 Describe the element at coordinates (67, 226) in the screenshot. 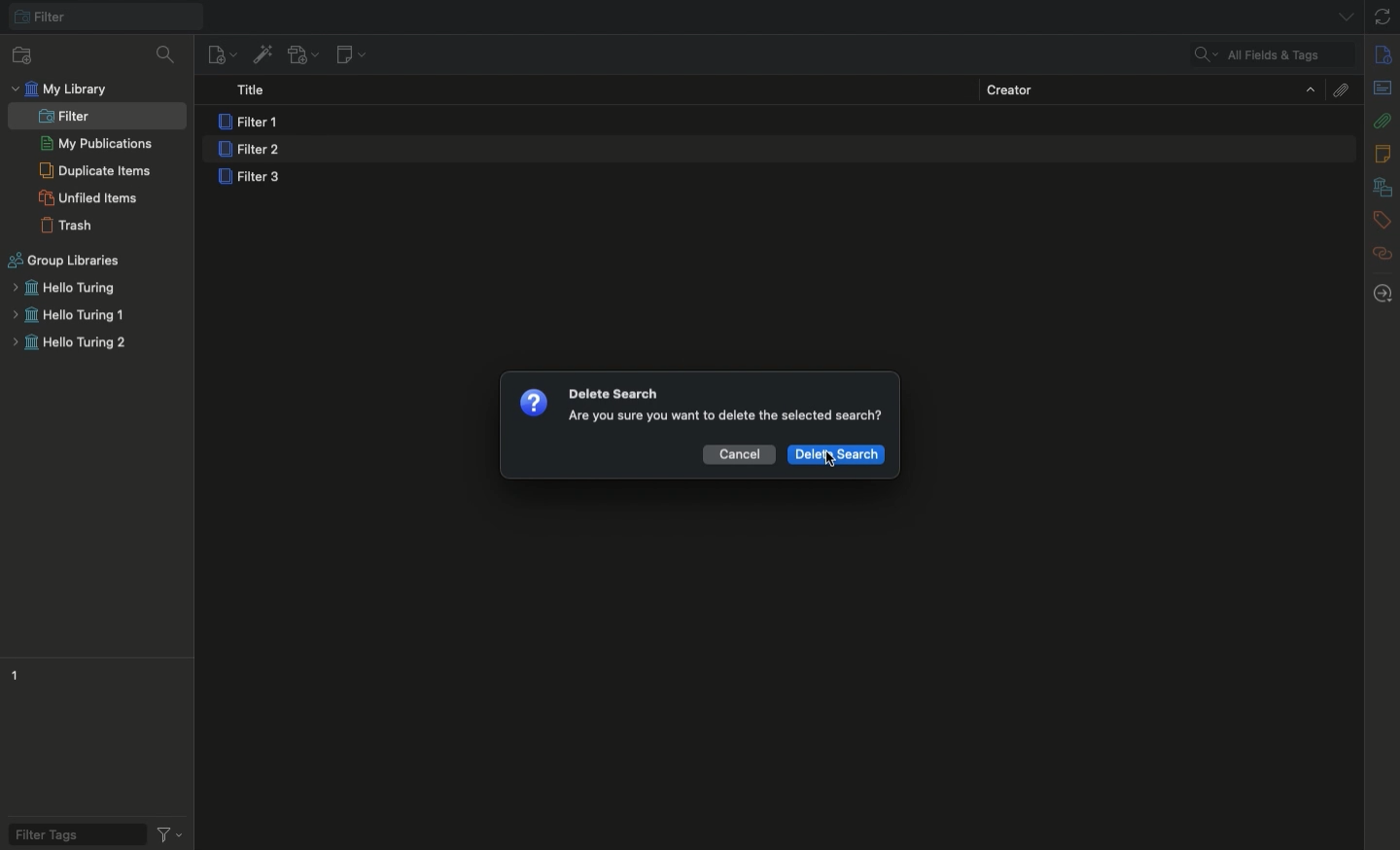

I see `Trash` at that location.